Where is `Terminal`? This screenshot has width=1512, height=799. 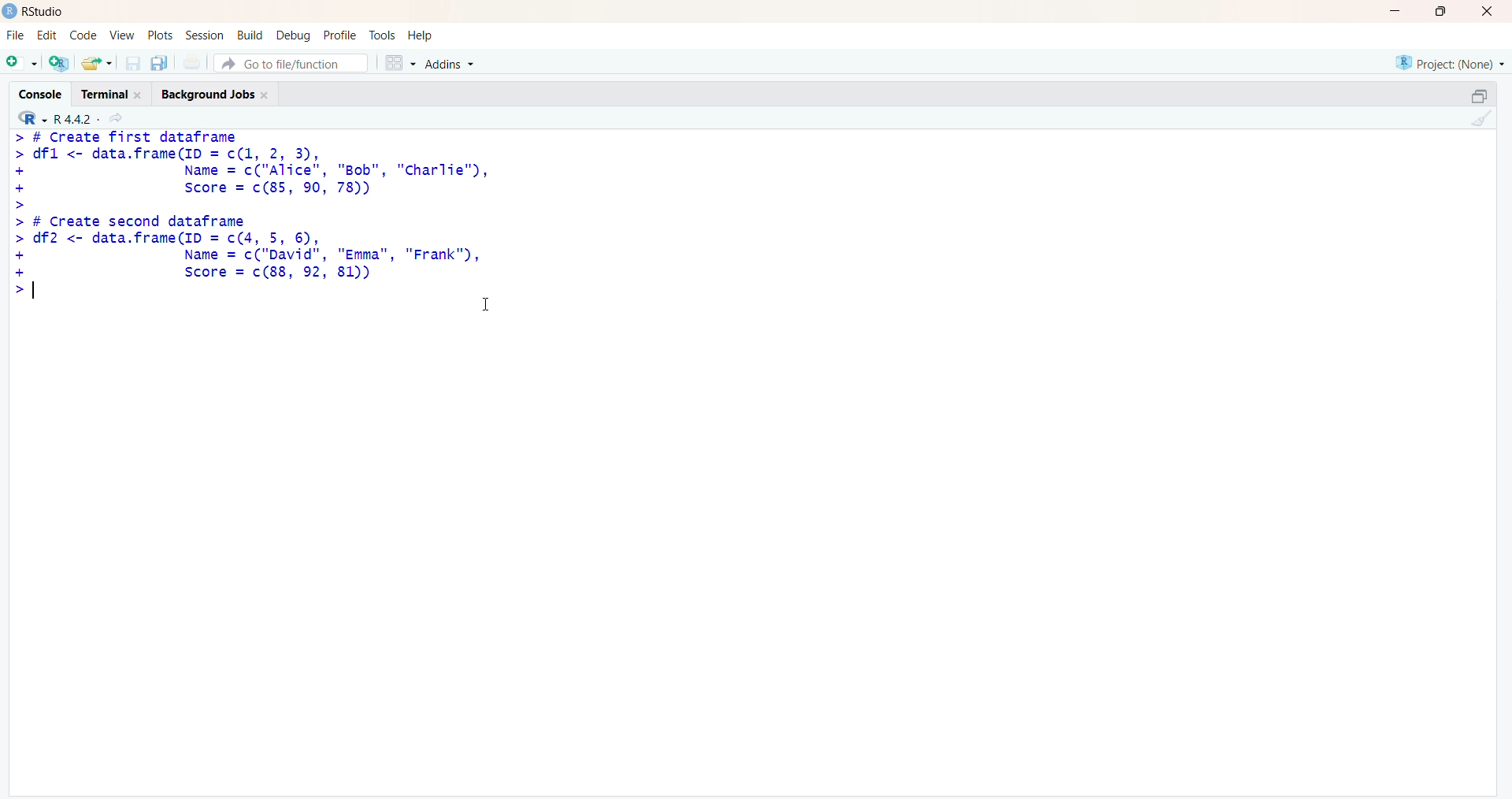 Terminal is located at coordinates (112, 93).